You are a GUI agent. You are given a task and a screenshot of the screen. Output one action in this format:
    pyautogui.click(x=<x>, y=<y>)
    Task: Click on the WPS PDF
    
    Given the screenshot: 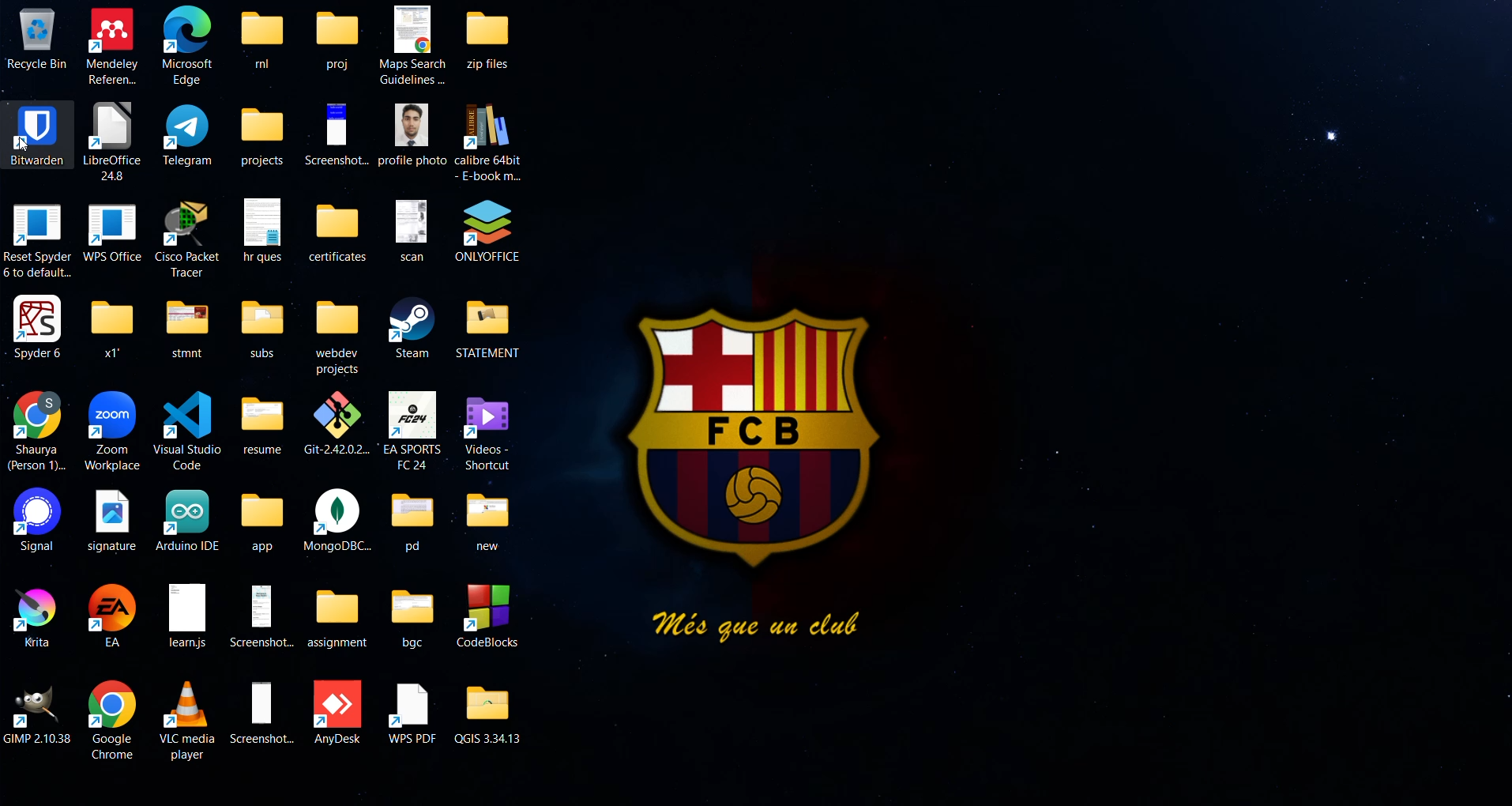 What is the action you would take?
    pyautogui.click(x=412, y=712)
    